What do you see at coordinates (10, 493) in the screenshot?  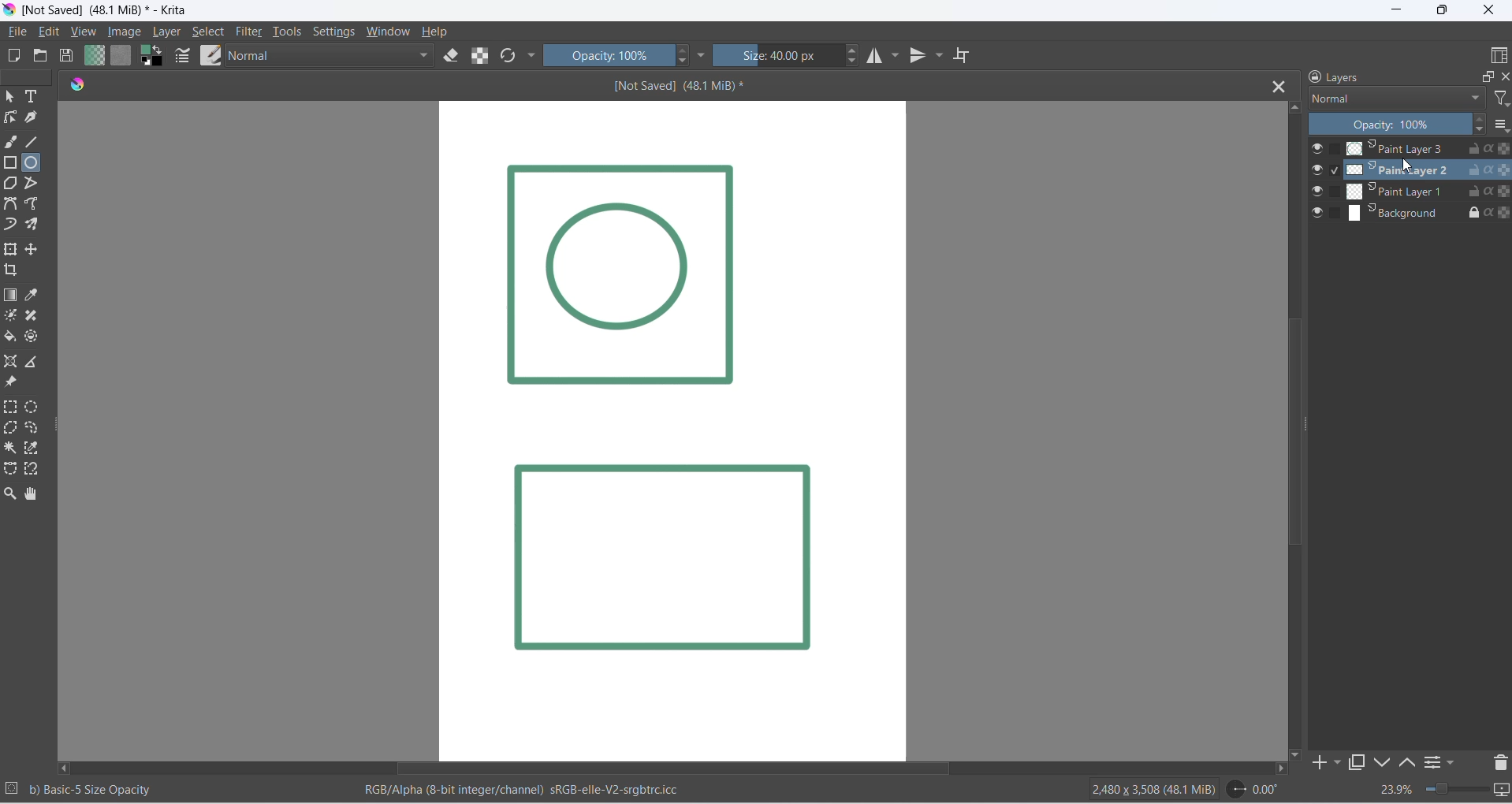 I see `zoom tool` at bounding box center [10, 493].